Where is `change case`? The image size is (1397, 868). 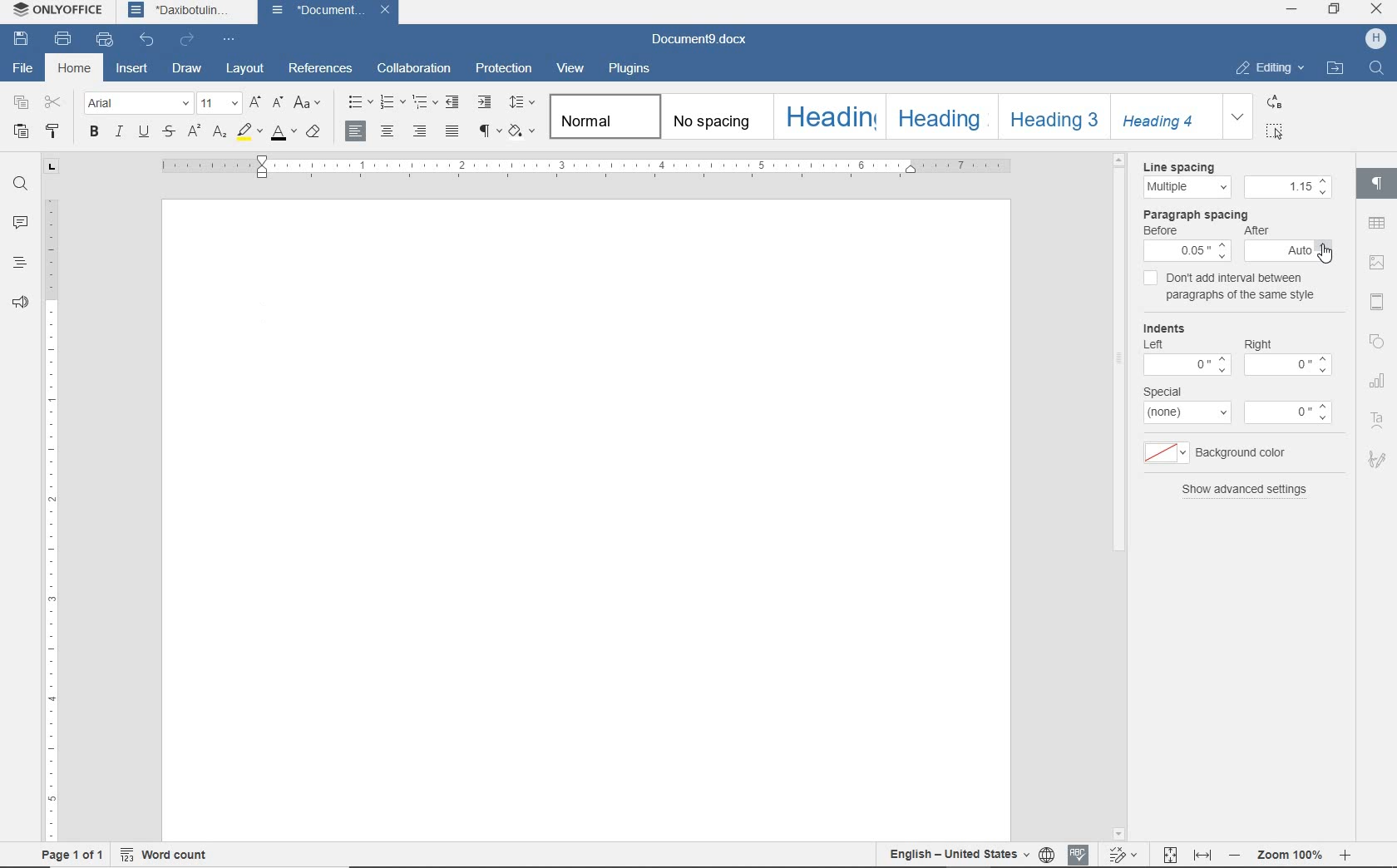
change case is located at coordinates (309, 104).